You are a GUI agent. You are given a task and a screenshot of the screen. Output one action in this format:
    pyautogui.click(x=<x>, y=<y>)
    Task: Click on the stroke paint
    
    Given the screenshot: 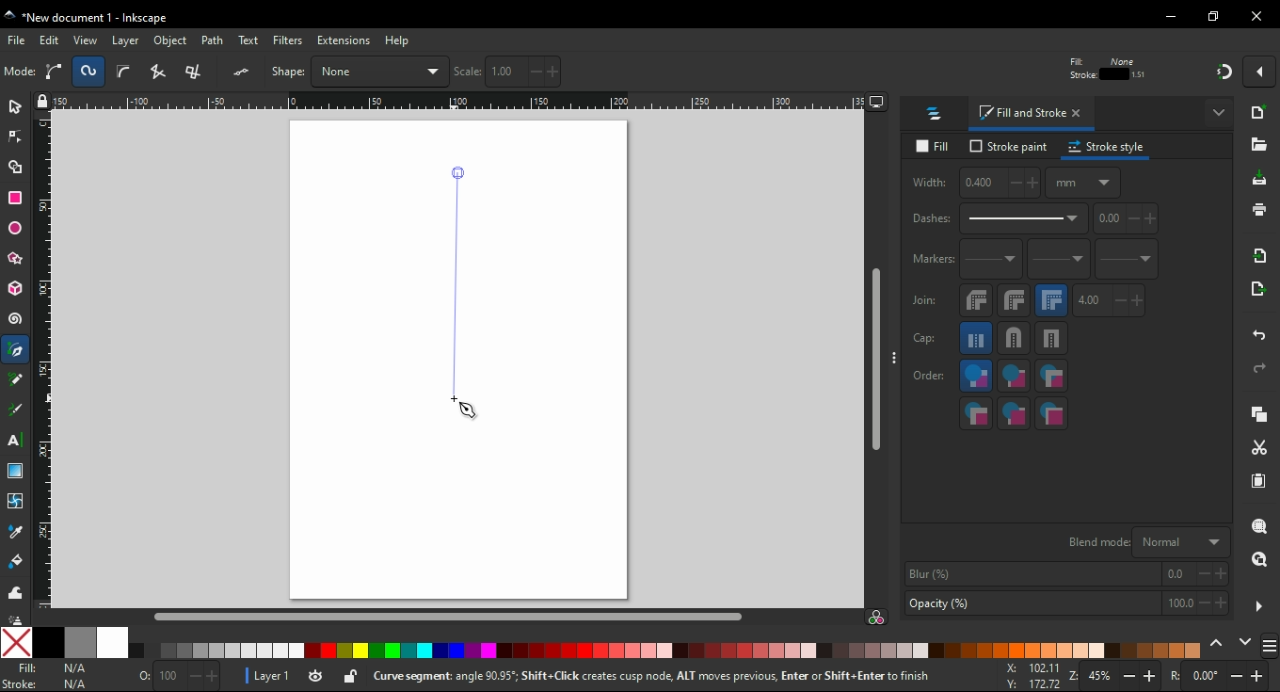 What is the action you would take?
    pyautogui.click(x=1009, y=146)
    